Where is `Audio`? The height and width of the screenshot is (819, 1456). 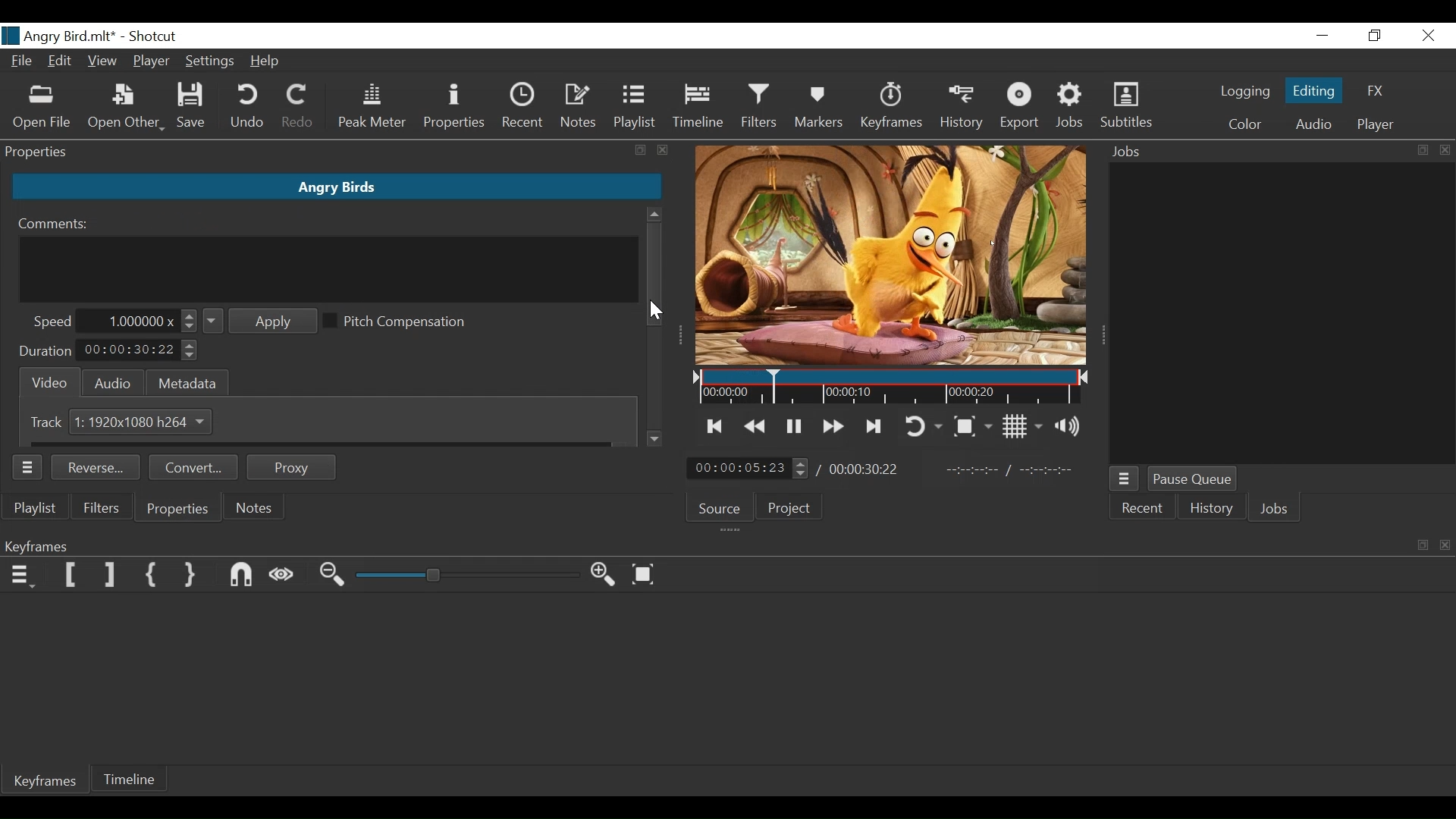 Audio is located at coordinates (108, 381).